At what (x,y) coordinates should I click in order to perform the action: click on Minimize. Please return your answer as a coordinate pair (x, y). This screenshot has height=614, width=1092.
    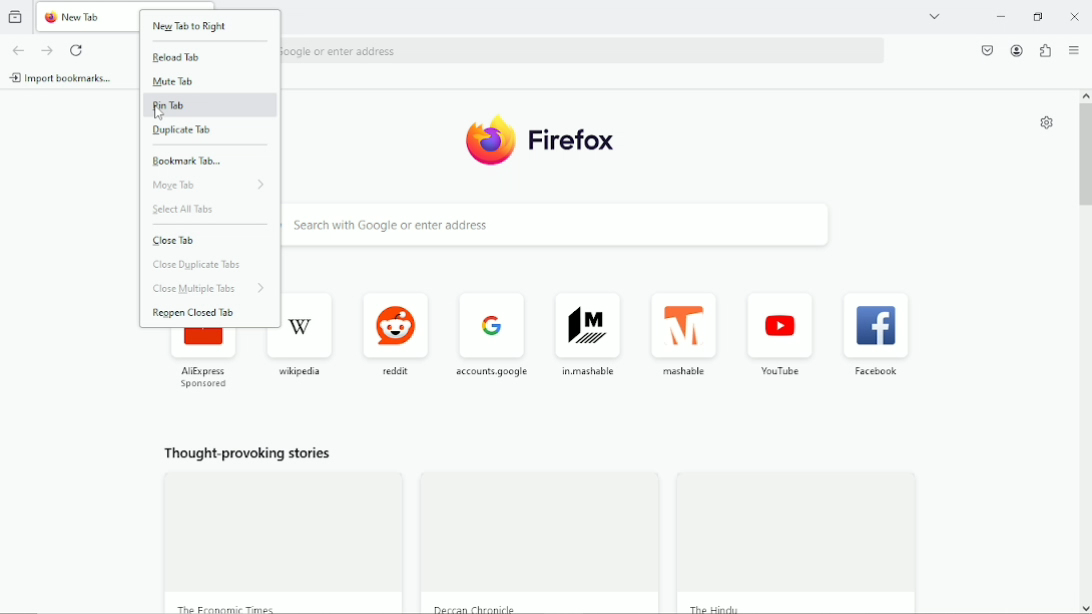
    Looking at the image, I should click on (1002, 16).